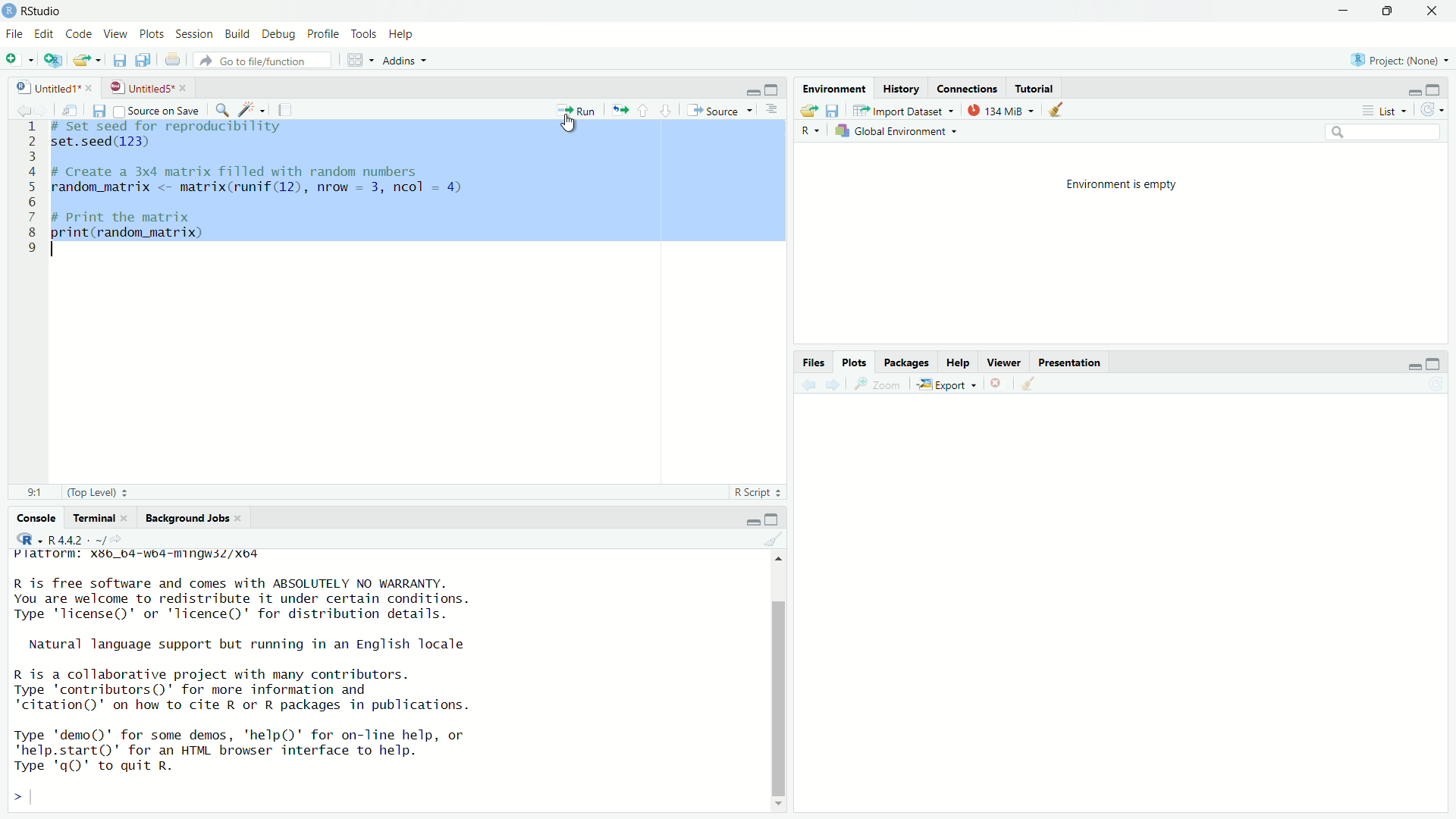 The image size is (1456, 819). Describe the element at coordinates (810, 386) in the screenshot. I see `back` at that location.